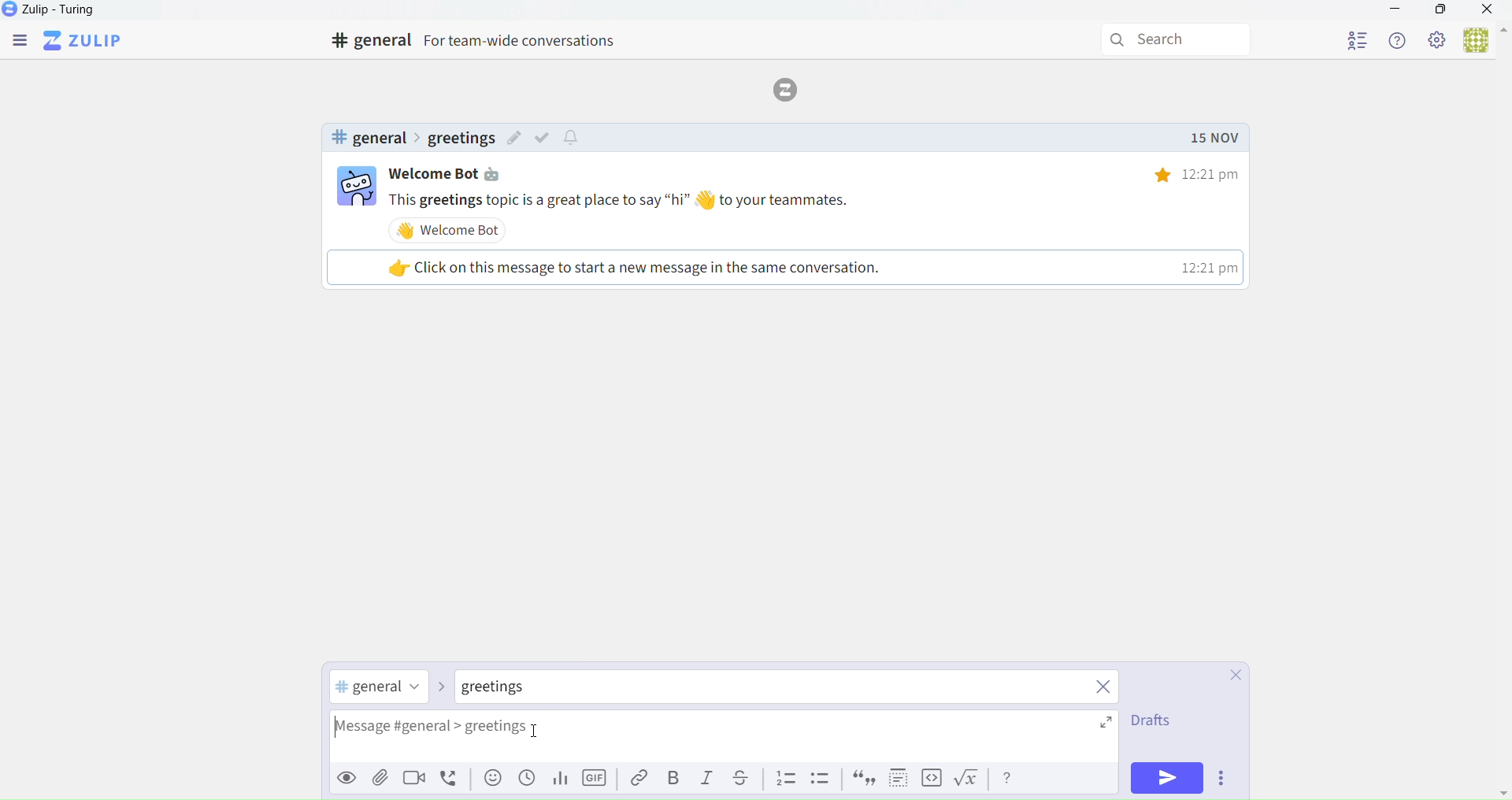  Describe the element at coordinates (673, 780) in the screenshot. I see `Bold` at that location.